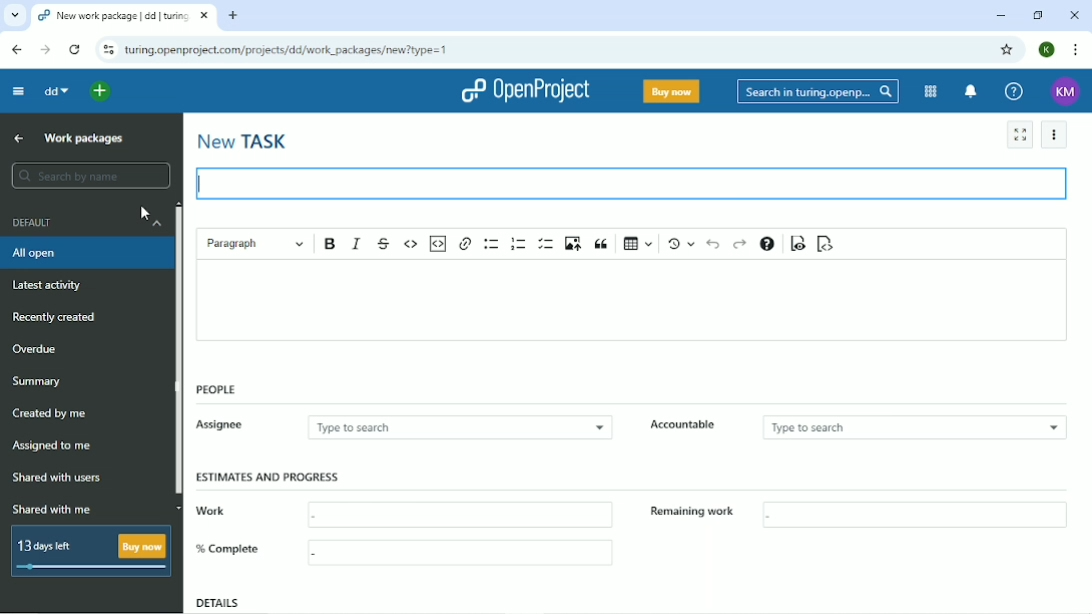 The width and height of the screenshot is (1092, 614). Describe the element at coordinates (106, 49) in the screenshot. I see `View site information` at that location.